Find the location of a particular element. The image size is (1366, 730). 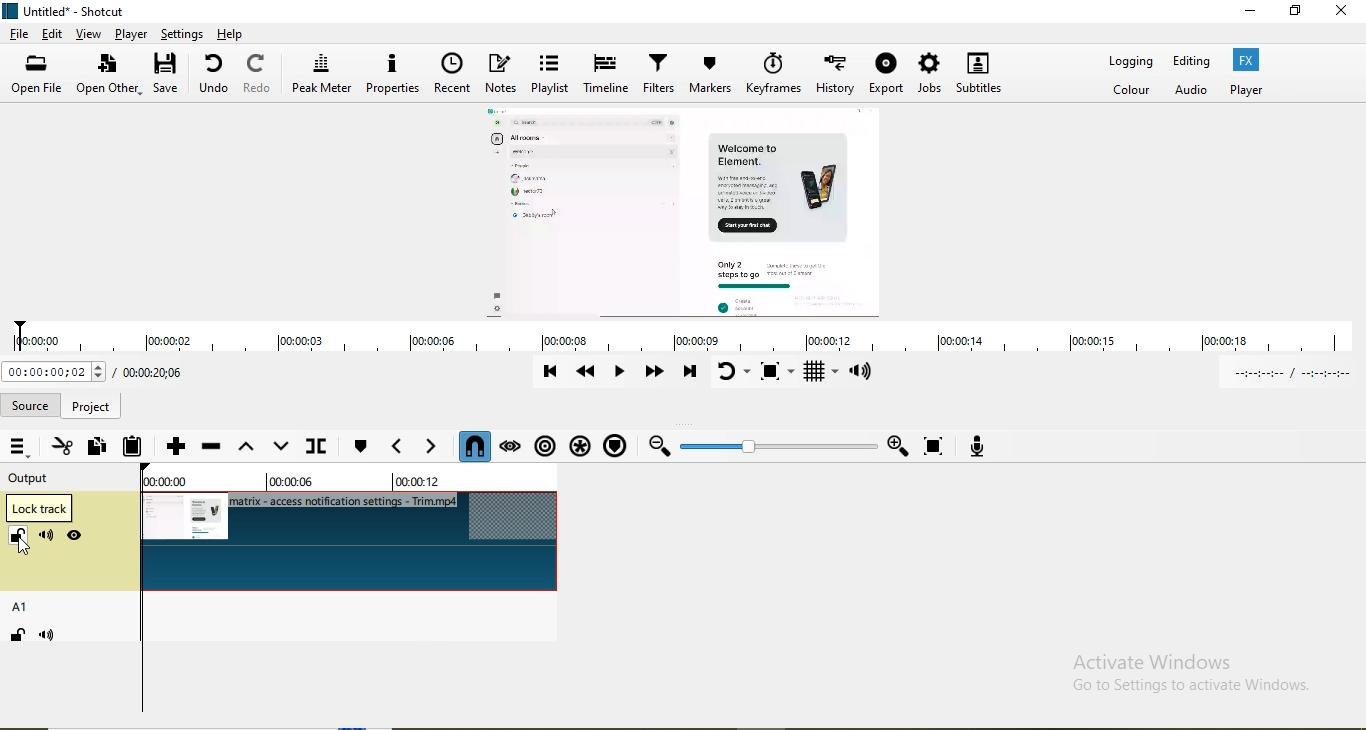

Settings is located at coordinates (182, 33).